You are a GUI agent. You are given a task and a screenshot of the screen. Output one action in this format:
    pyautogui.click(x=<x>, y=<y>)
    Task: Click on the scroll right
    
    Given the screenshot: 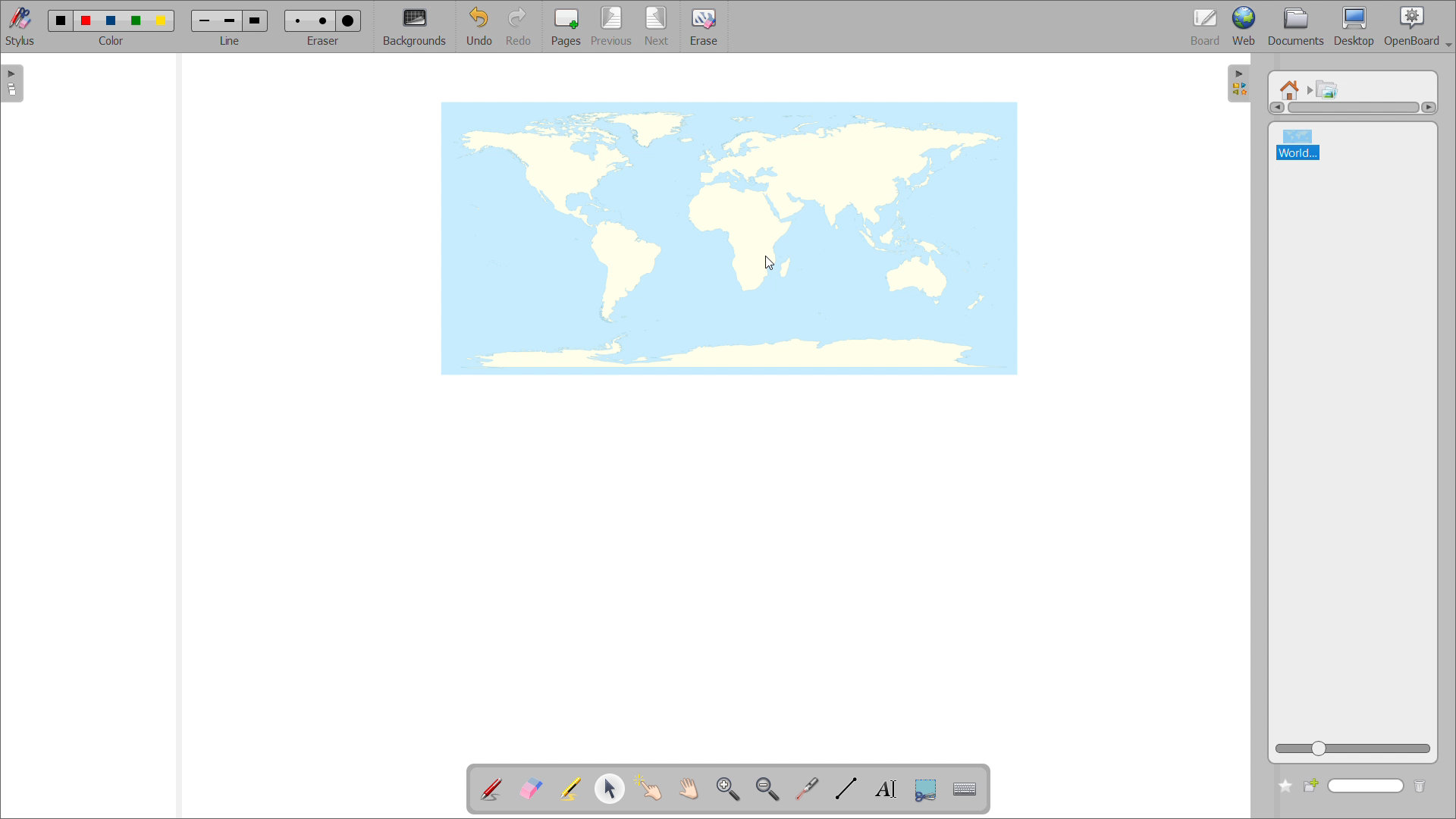 What is the action you would take?
    pyautogui.click(x=1430, y=107)
    